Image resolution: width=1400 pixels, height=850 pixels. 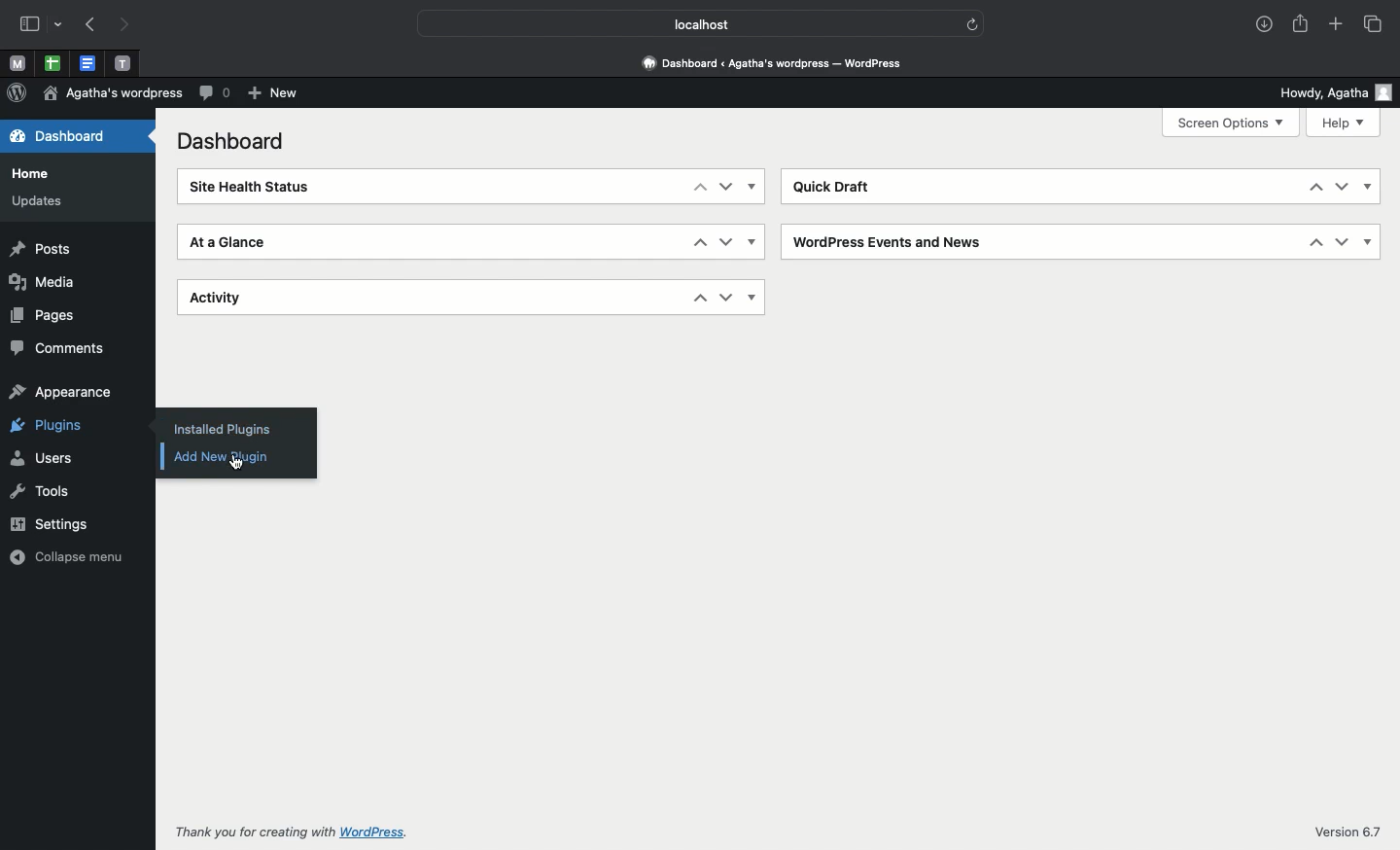 What do you see at coordinates (752, 297) in the screenshot?
I see `Show` at bounding box center [752, 297].